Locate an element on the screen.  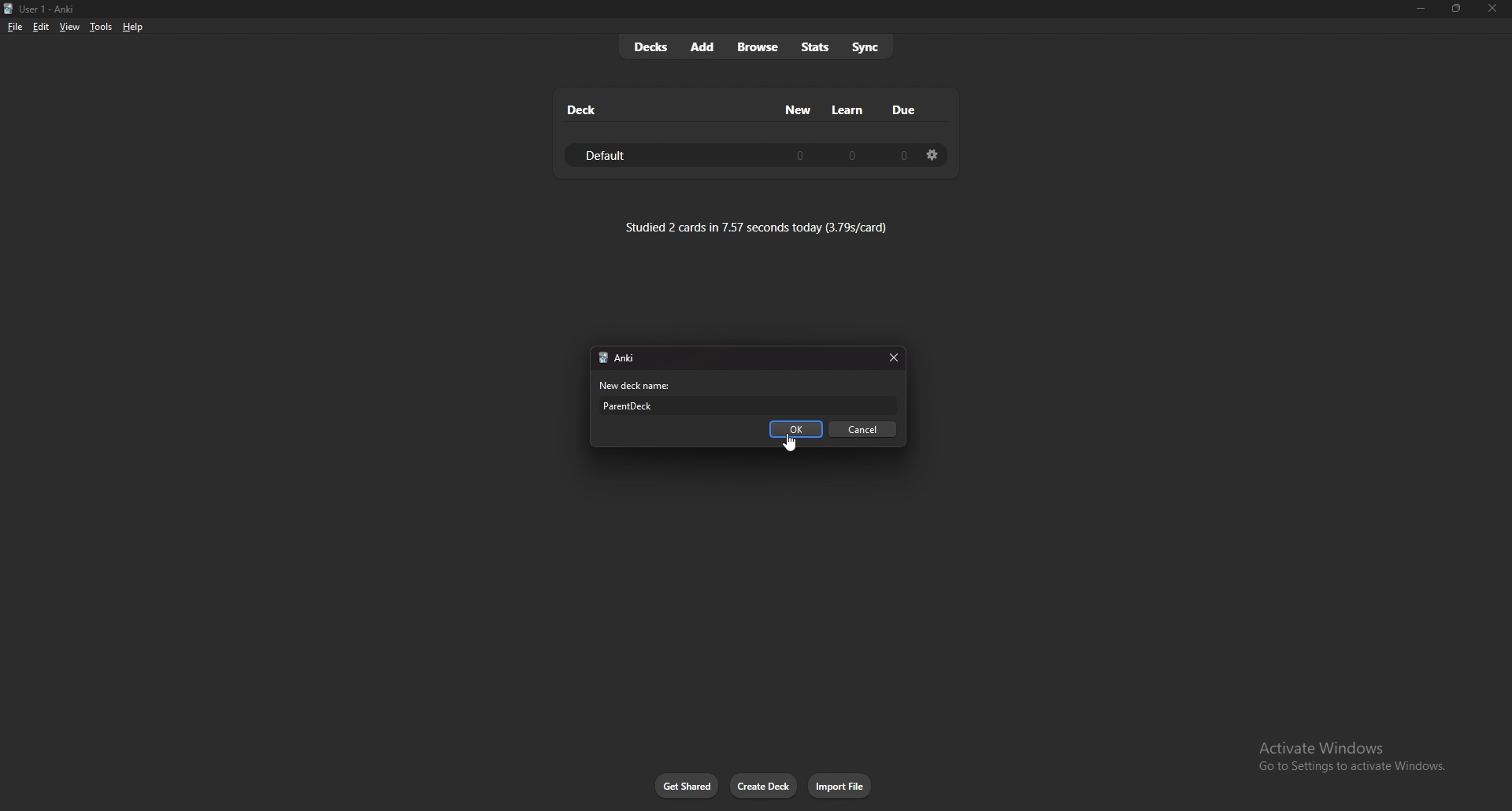
file is located at coordinates (15, 28).